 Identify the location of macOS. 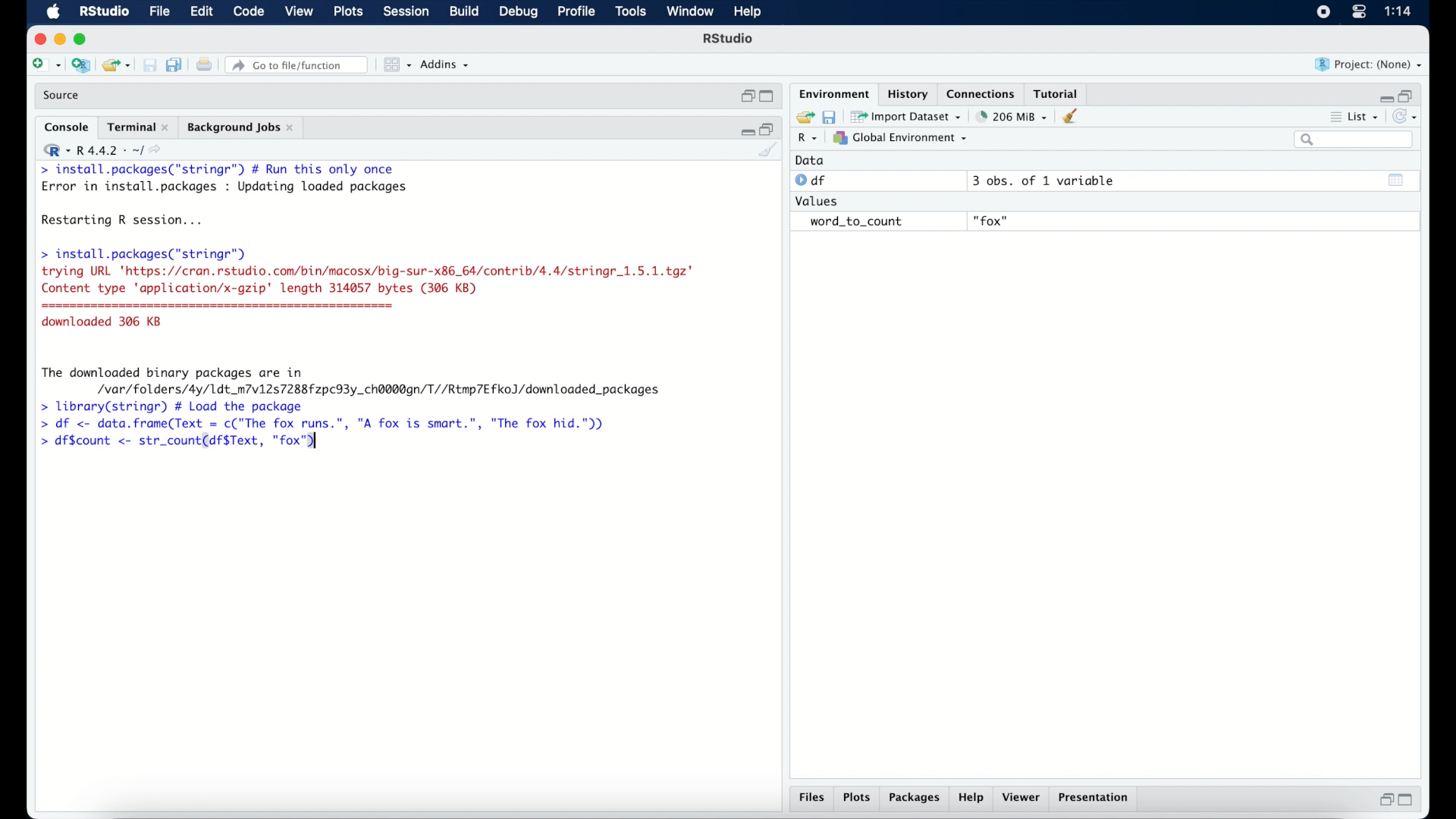
(53, 12).